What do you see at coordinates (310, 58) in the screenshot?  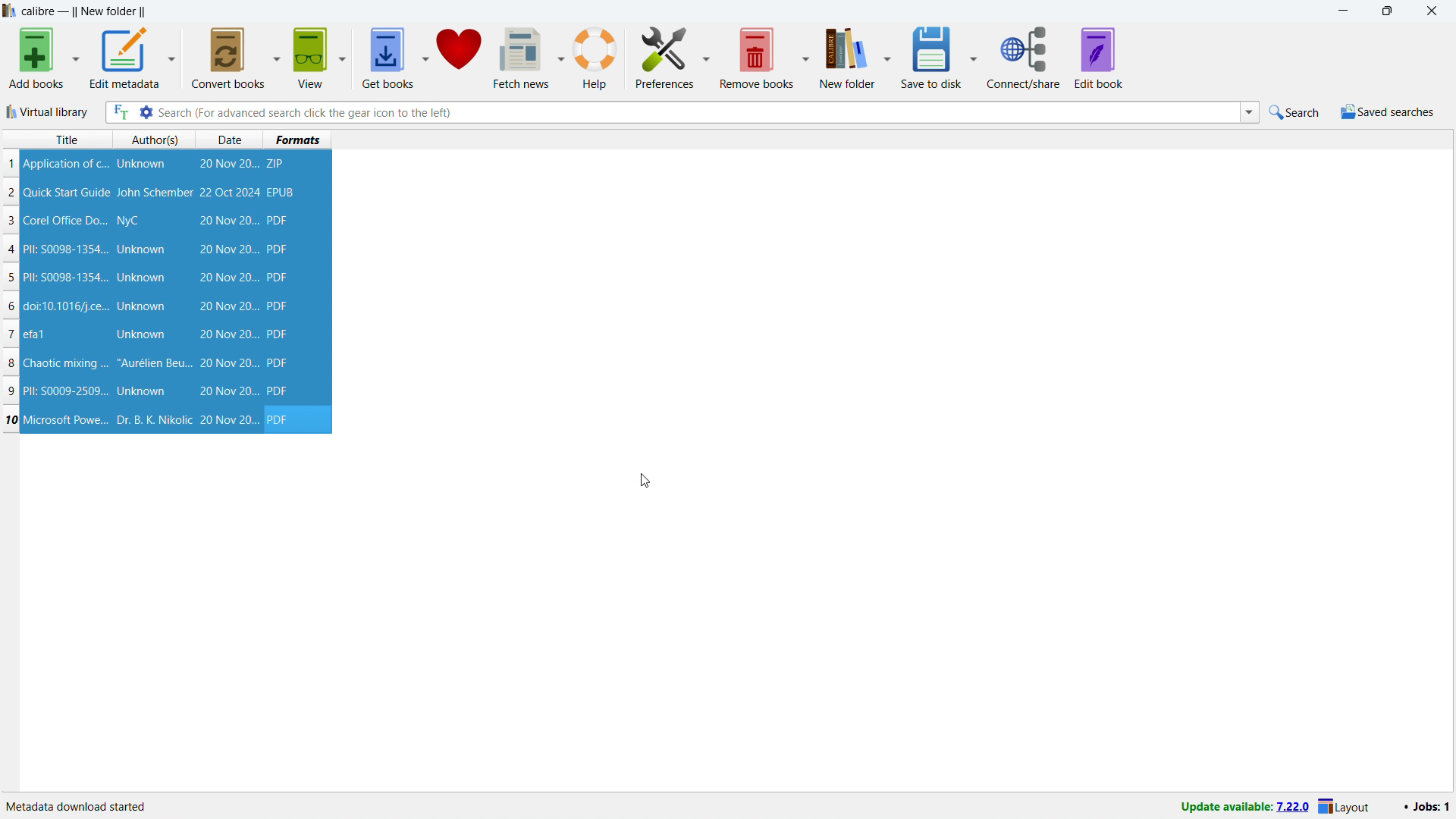 I see `view` at bounding box center [310, 58].